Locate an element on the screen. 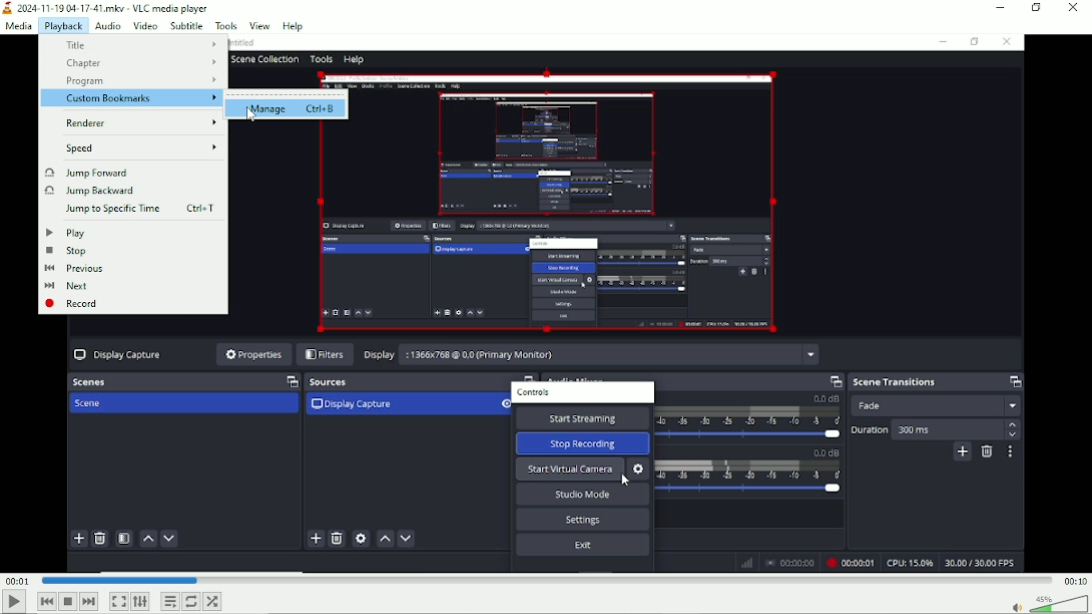 The image size is (1092, 614). Media is located at coordinates (17, 26).